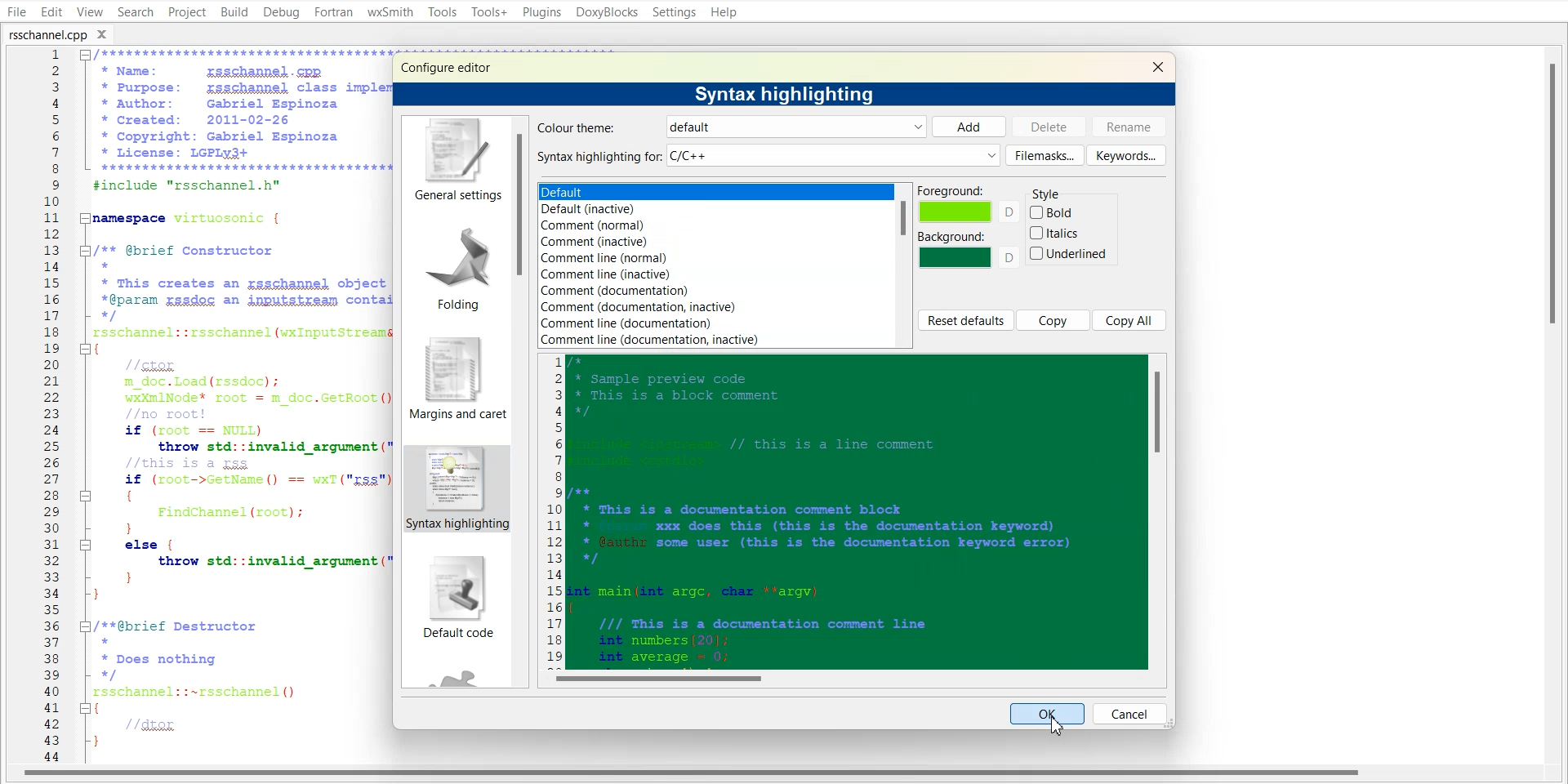 The height and width of the screenshot is (784, 1568). I want to click on Background, so click(969, 250).